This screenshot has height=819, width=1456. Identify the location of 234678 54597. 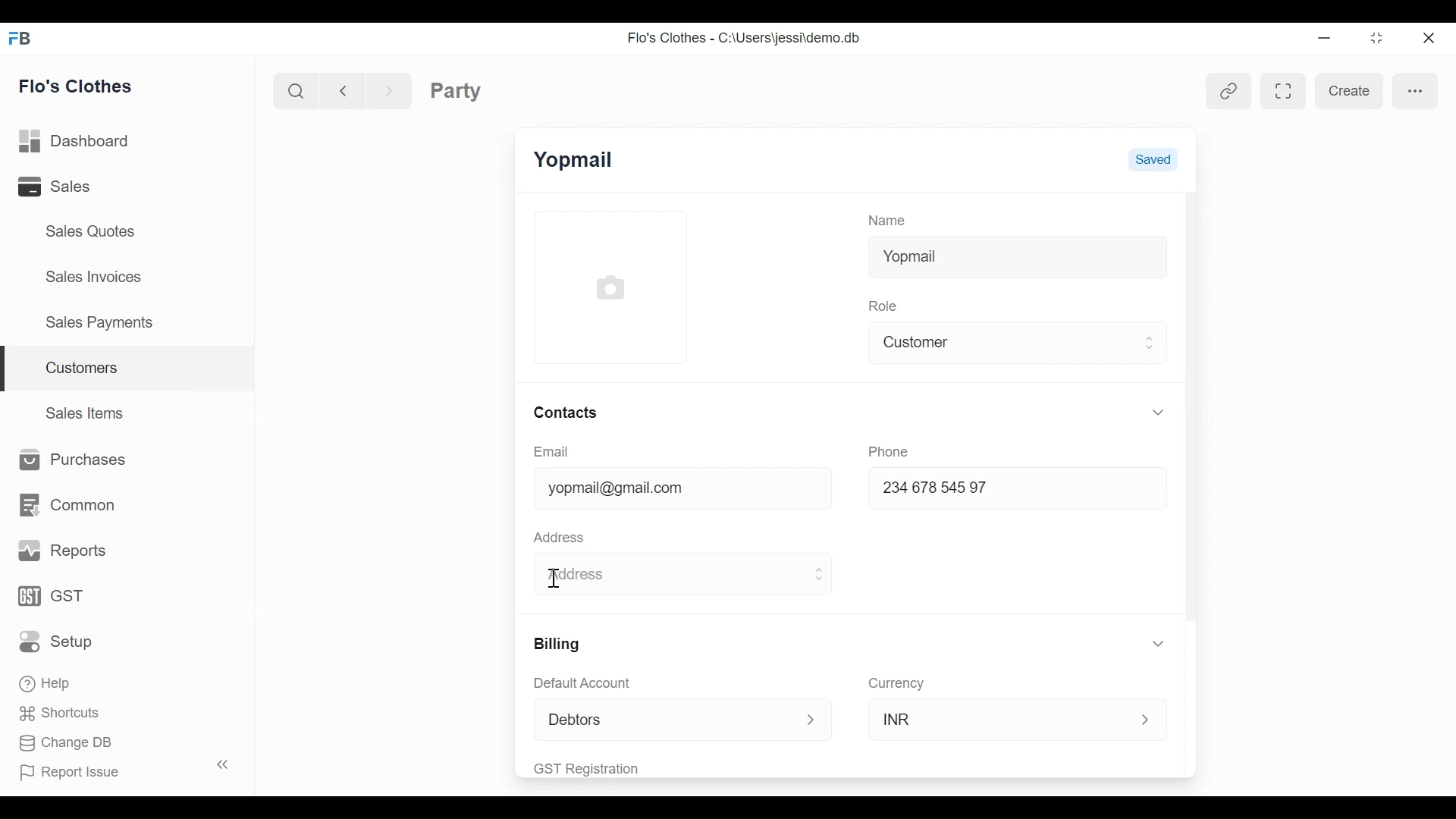
(980, 490).